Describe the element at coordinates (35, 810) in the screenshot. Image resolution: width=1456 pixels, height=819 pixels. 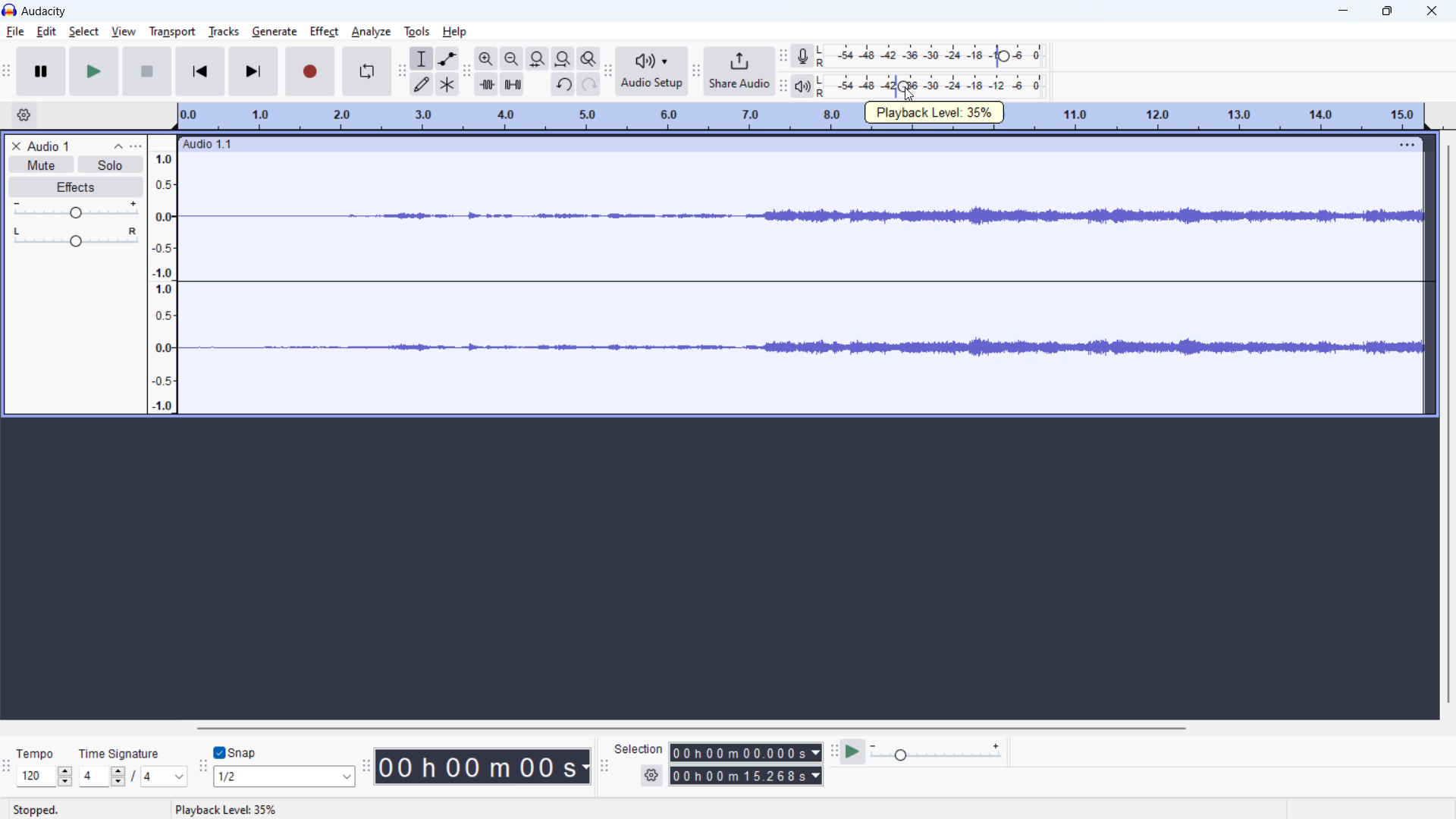
I see `Stopped` at that location.